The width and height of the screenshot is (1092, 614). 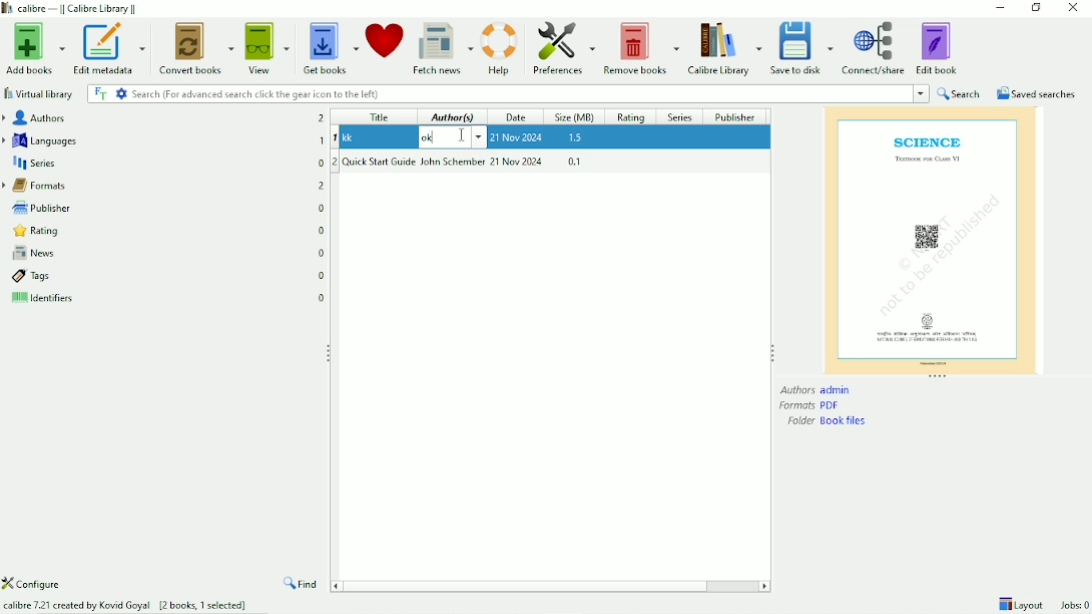 What do you see at coordinates (632, 117) in the screenshot?
I see `Rating` at bounding box center [632, 117].